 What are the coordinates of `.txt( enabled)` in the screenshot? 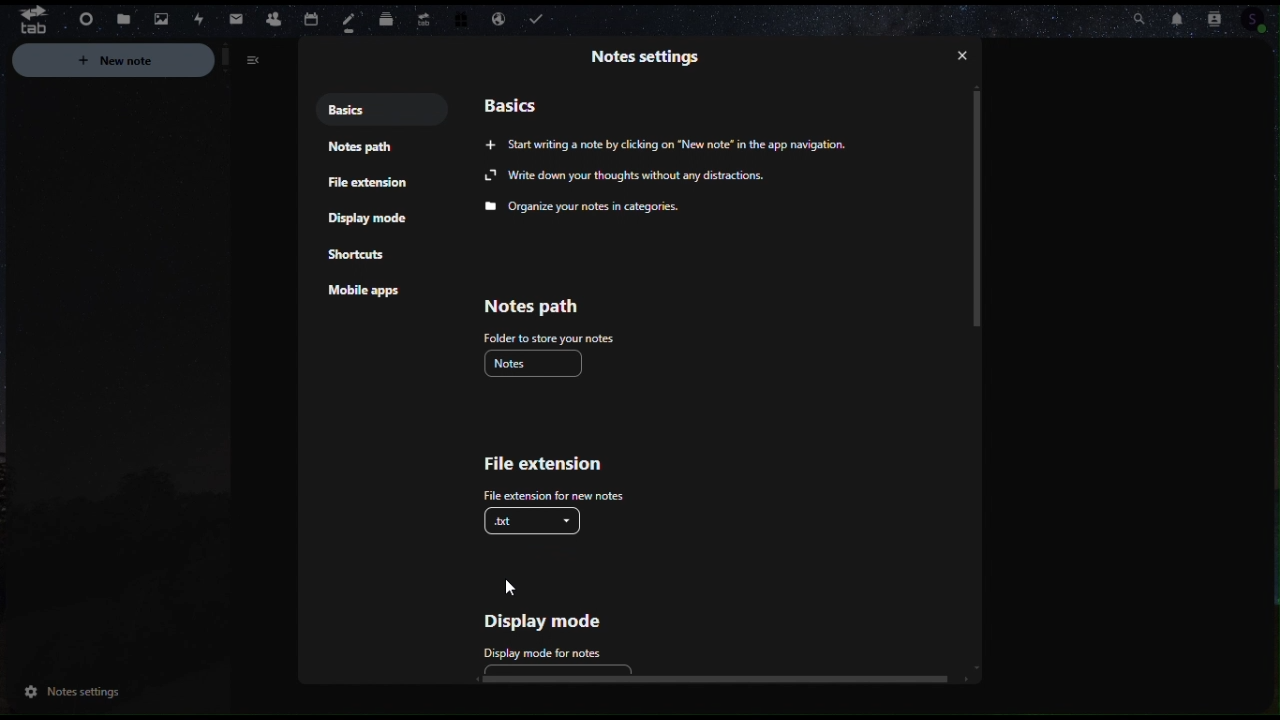 It's located at (536, 519).